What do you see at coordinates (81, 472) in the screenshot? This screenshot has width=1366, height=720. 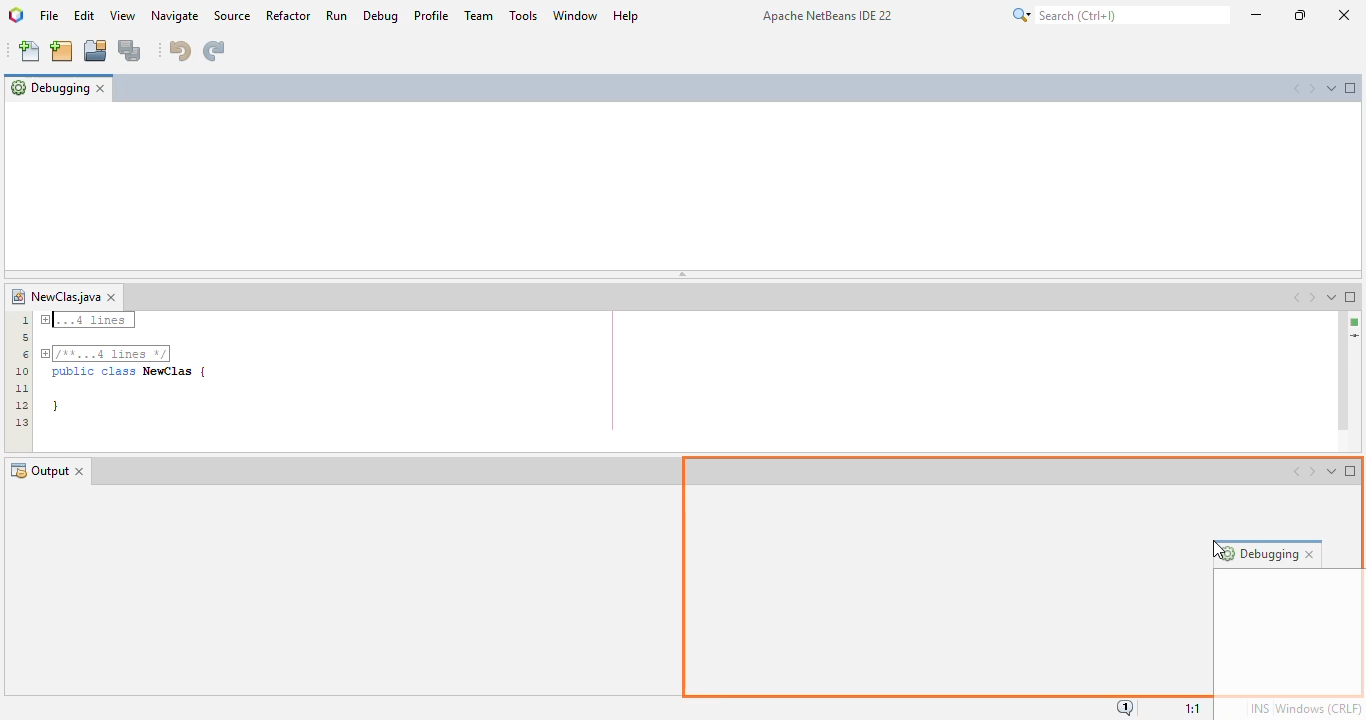 I see `close window` at bounding box center [81, 472].